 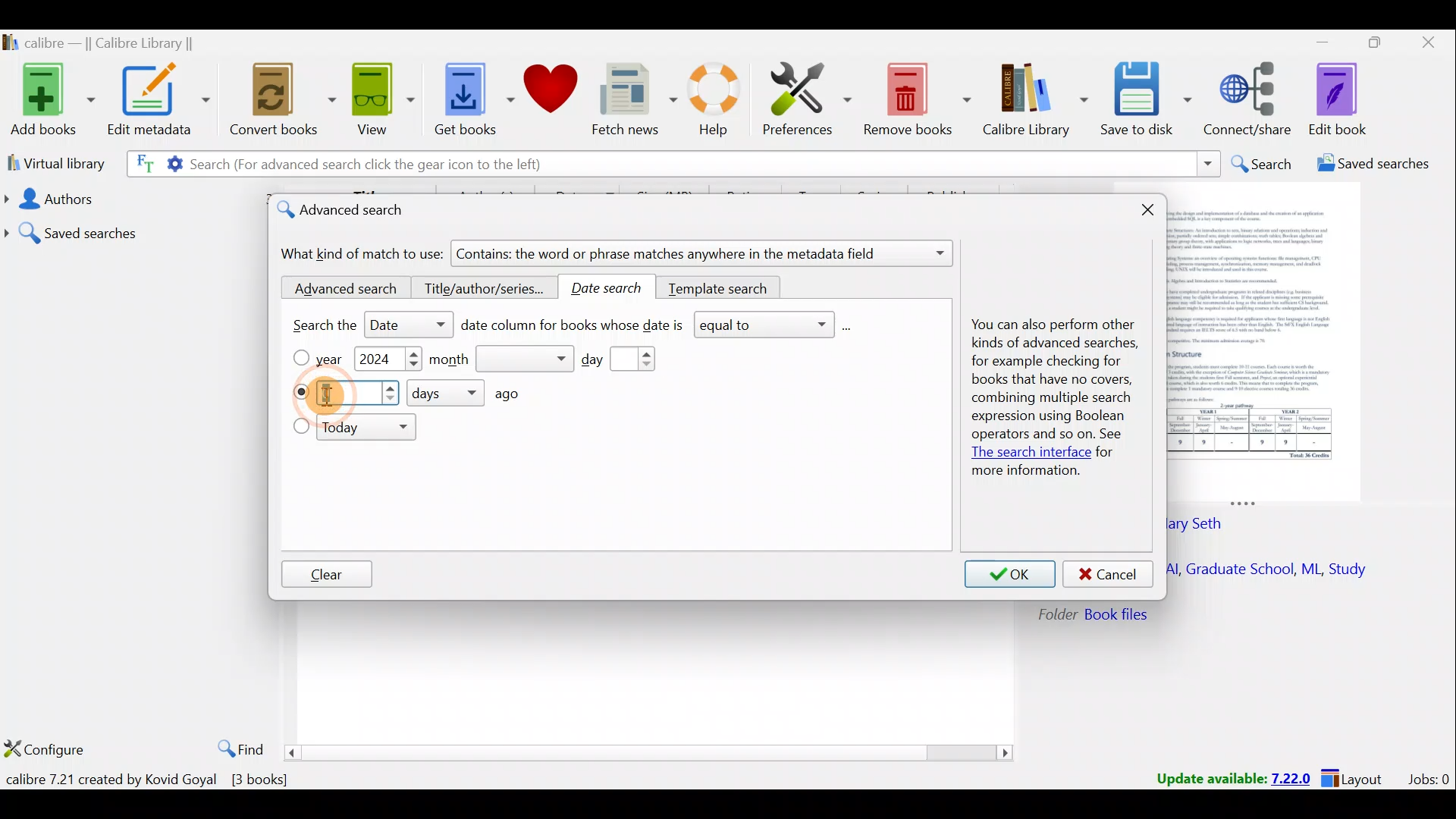 What do you see at coordinates (300, 392) in the screenshot?
I see `What day?` at bounding box center [300, 392].